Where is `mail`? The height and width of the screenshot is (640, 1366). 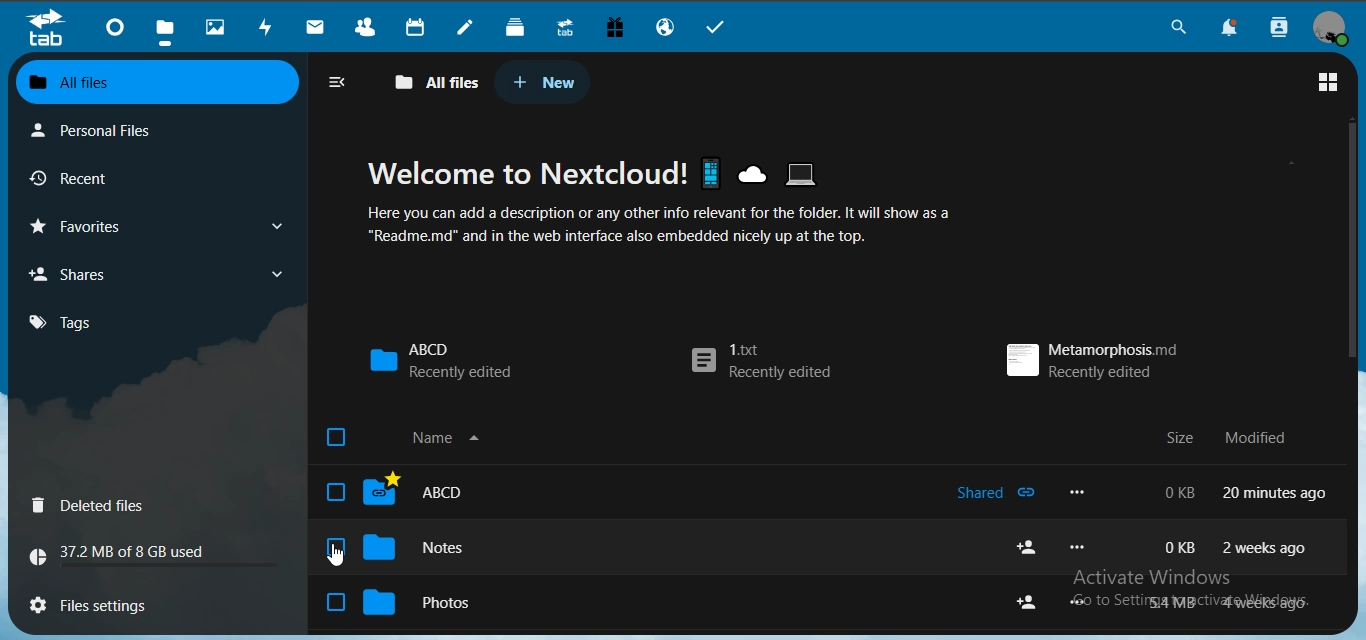
mail is located at coordinates (318, 26).